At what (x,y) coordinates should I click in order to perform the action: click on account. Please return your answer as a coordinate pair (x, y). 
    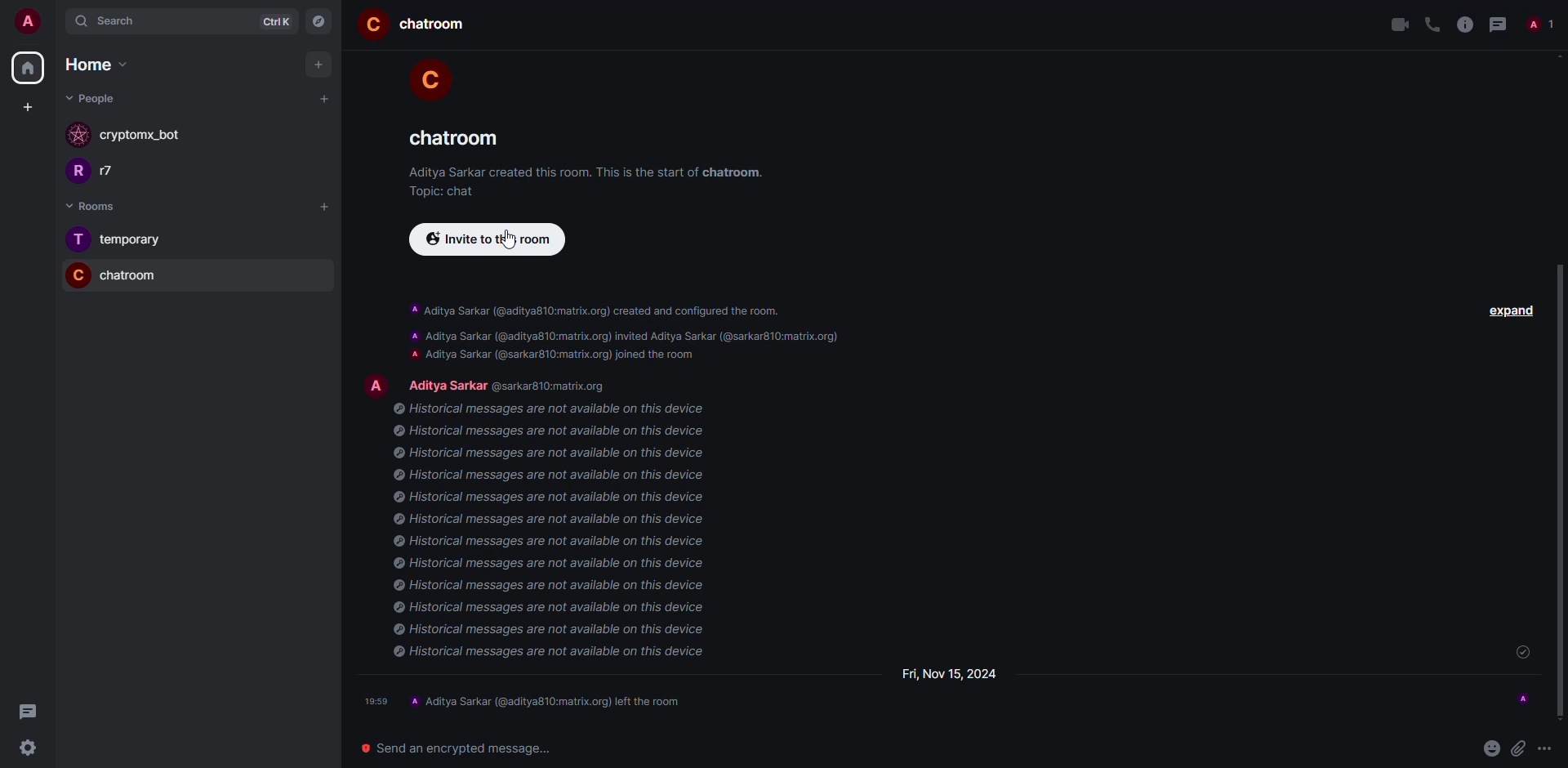
    Looking at the image, I should click on (34, 23).